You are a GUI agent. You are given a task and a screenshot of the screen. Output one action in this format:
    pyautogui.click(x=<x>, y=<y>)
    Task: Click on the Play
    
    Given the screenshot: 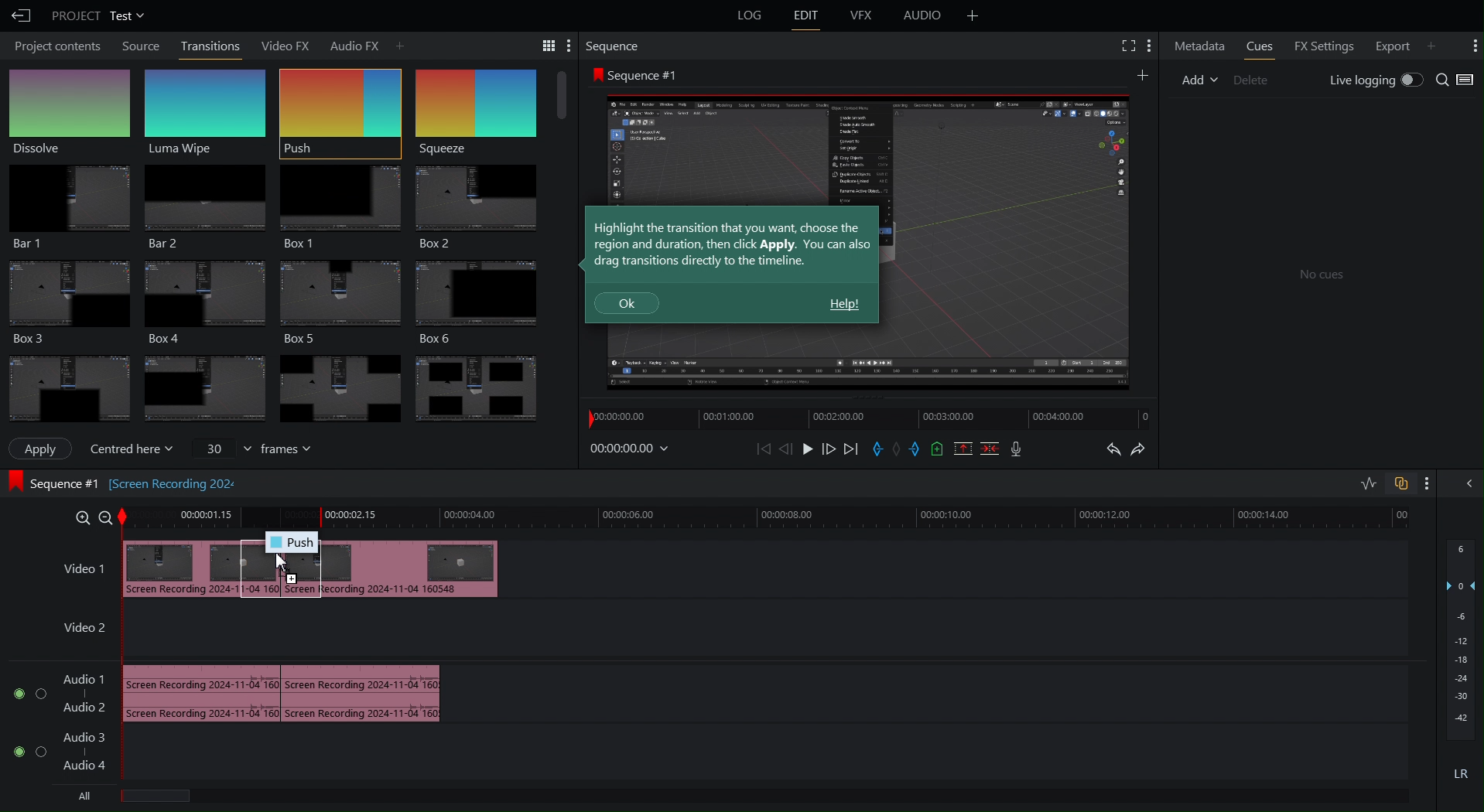 What is the action you would take?
    pyautogui.click(x=807, y=449)
    